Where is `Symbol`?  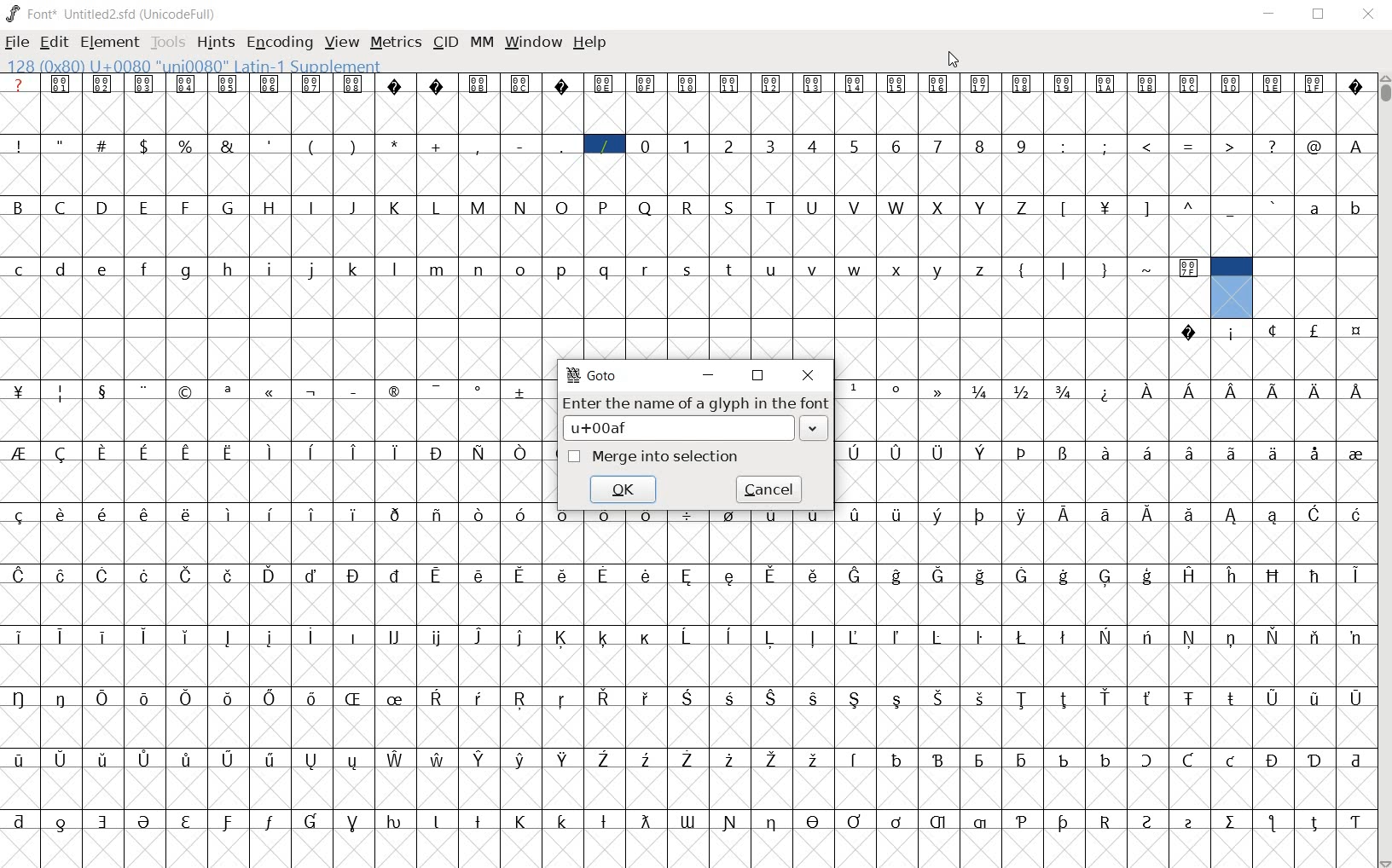 Symbol is located at coordinates (980, 637).